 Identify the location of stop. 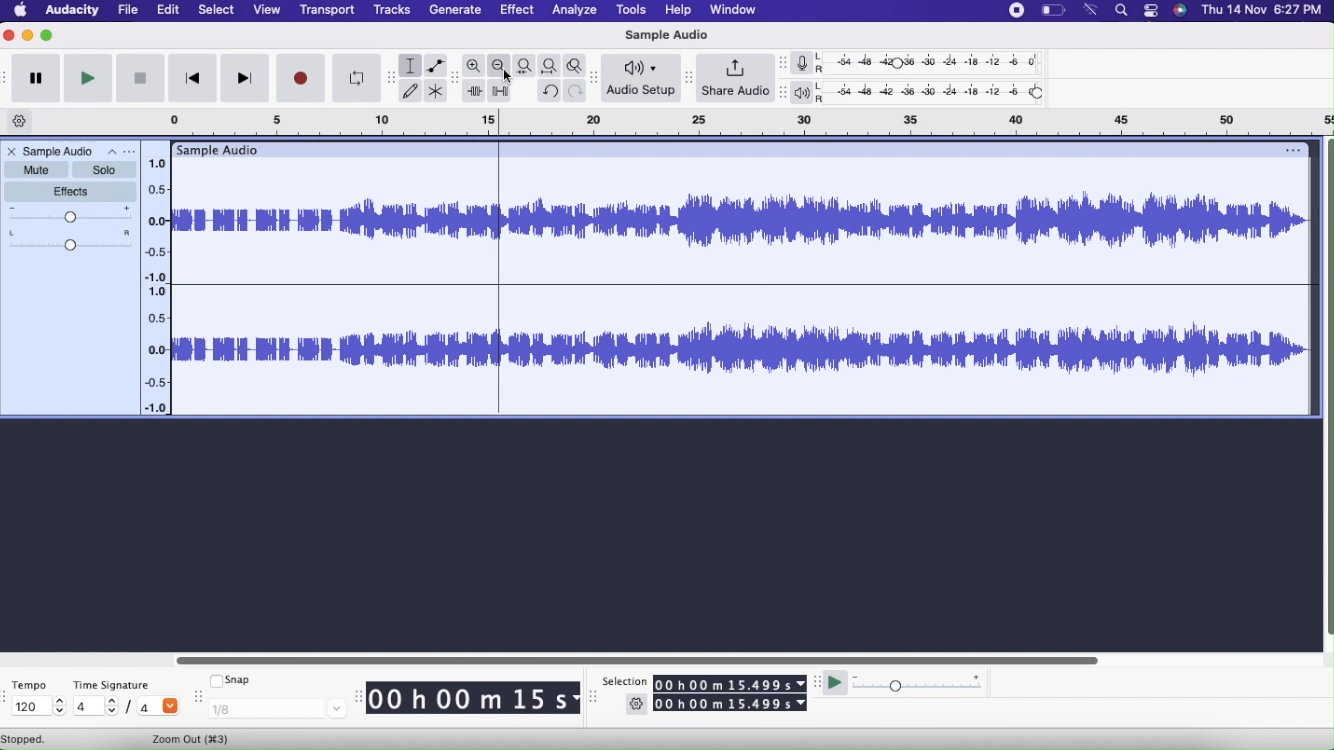
(1017, 10).